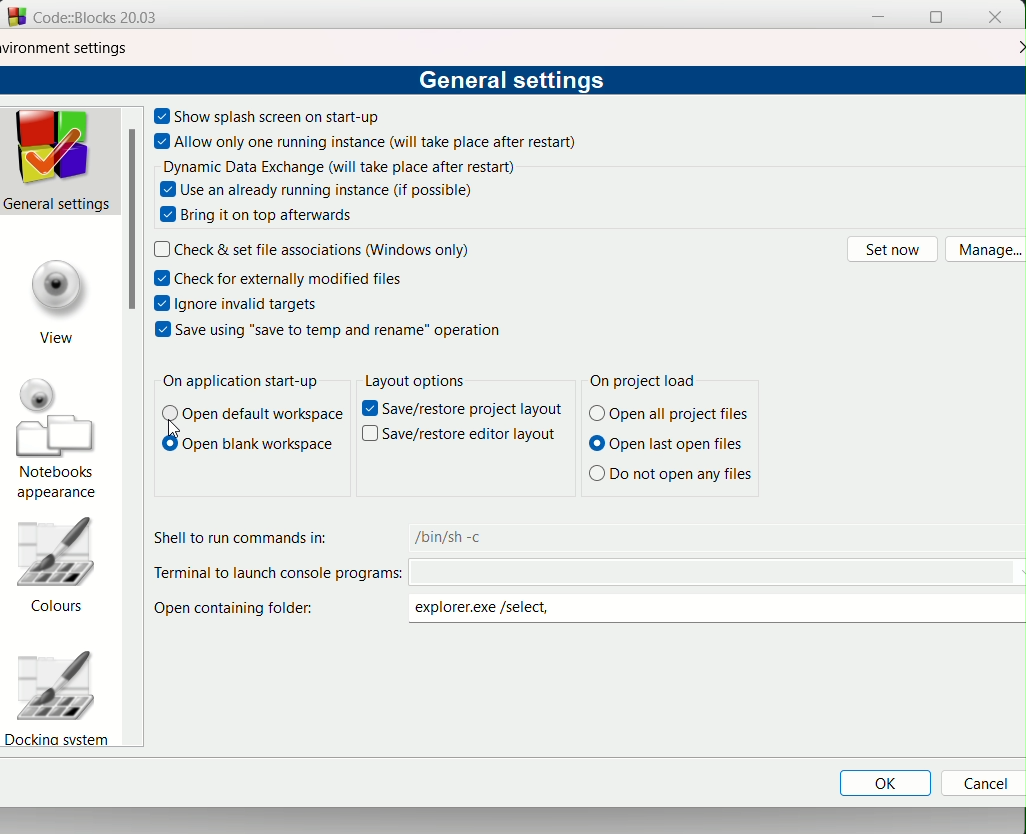 The height and width of the screenshot is (834, 1026). I want to click on text, so click(339, 329).